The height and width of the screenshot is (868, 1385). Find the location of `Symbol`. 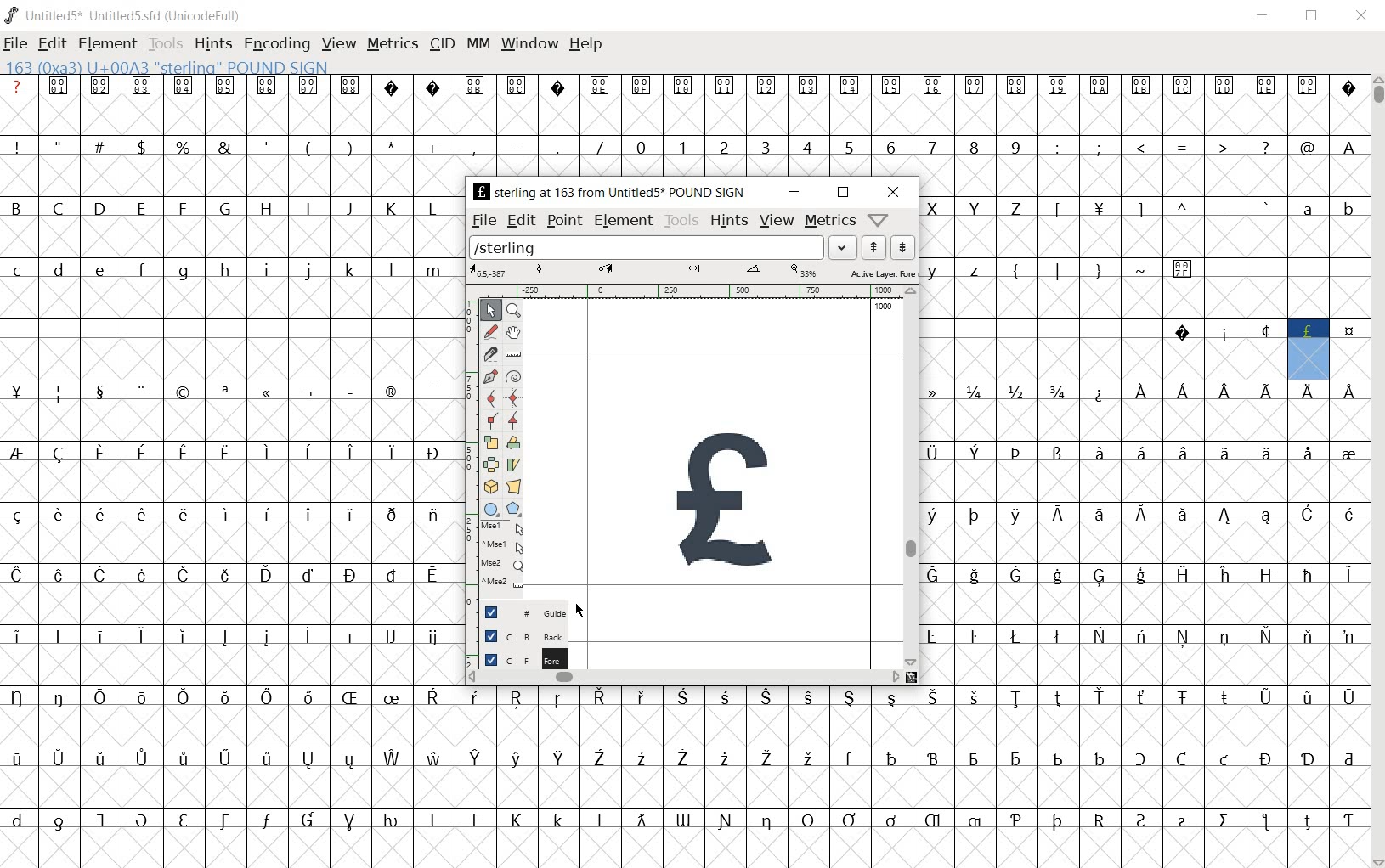

Symbol is located at coordinates (140, 758).